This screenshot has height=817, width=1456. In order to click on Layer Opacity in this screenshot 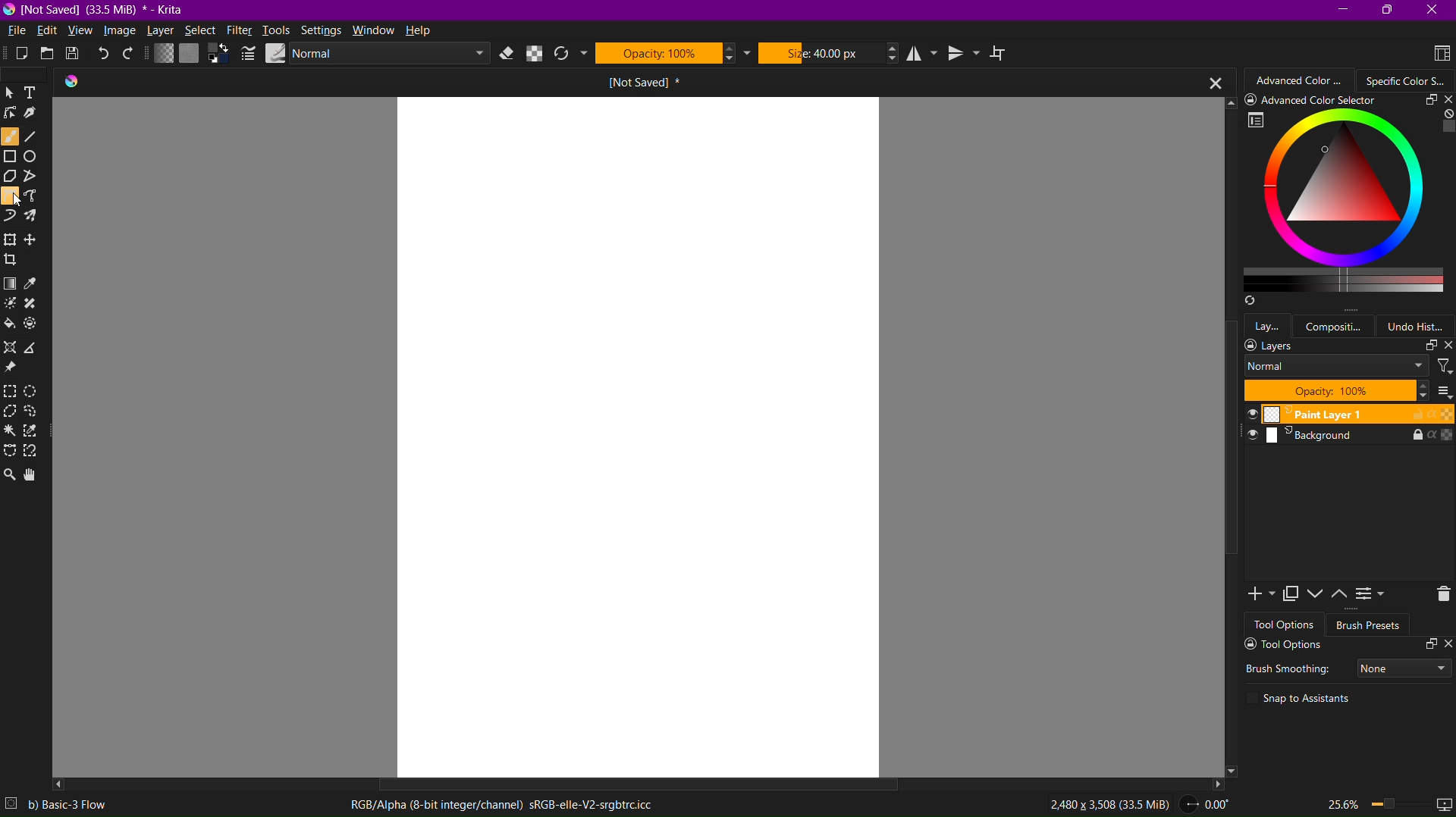, I will do `click(1336, 390)`.